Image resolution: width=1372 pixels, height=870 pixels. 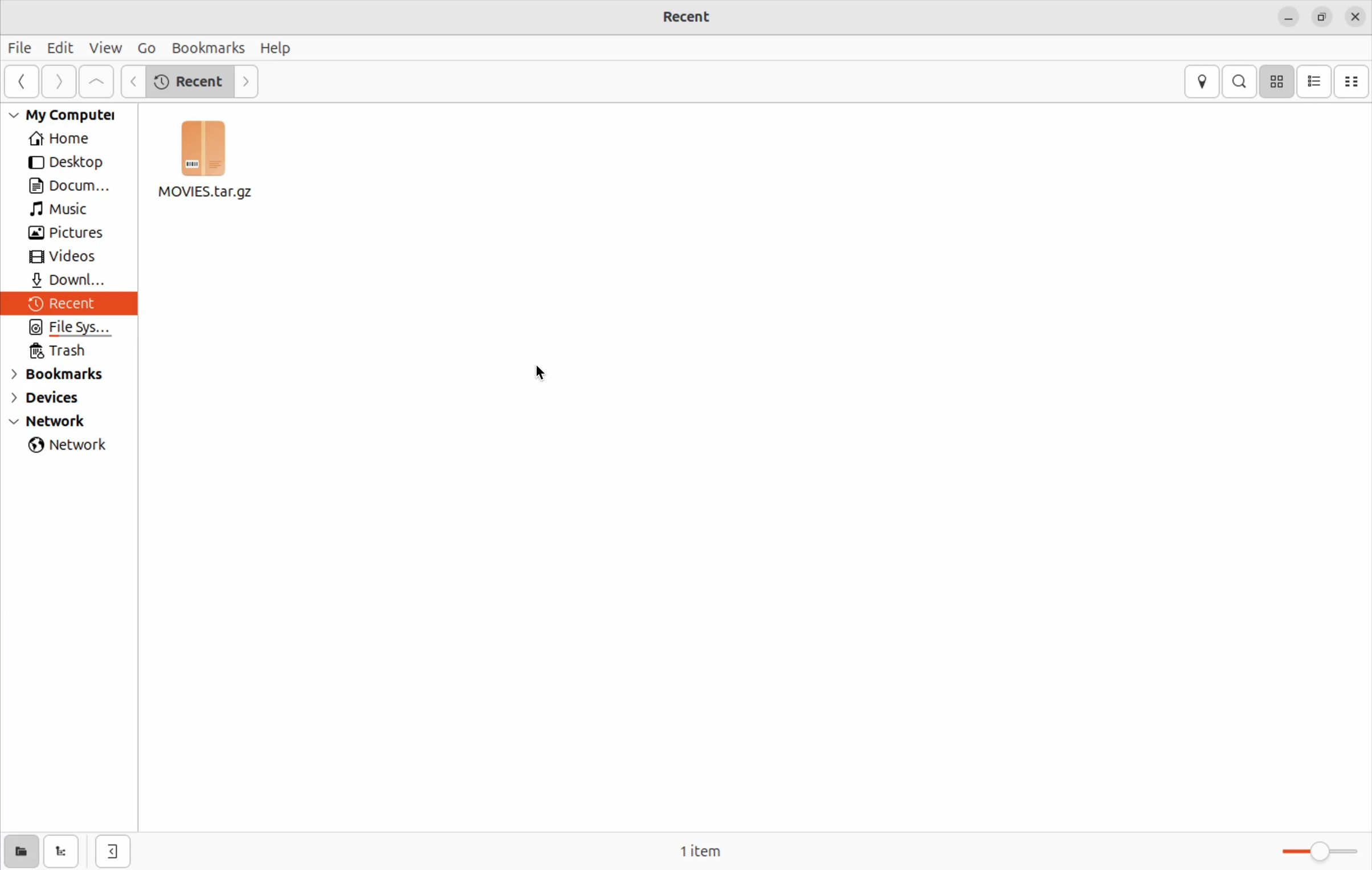 What do you see at coordinates (70, 422) in the screenshot?
I see `network` at bounding box center [70, 422].